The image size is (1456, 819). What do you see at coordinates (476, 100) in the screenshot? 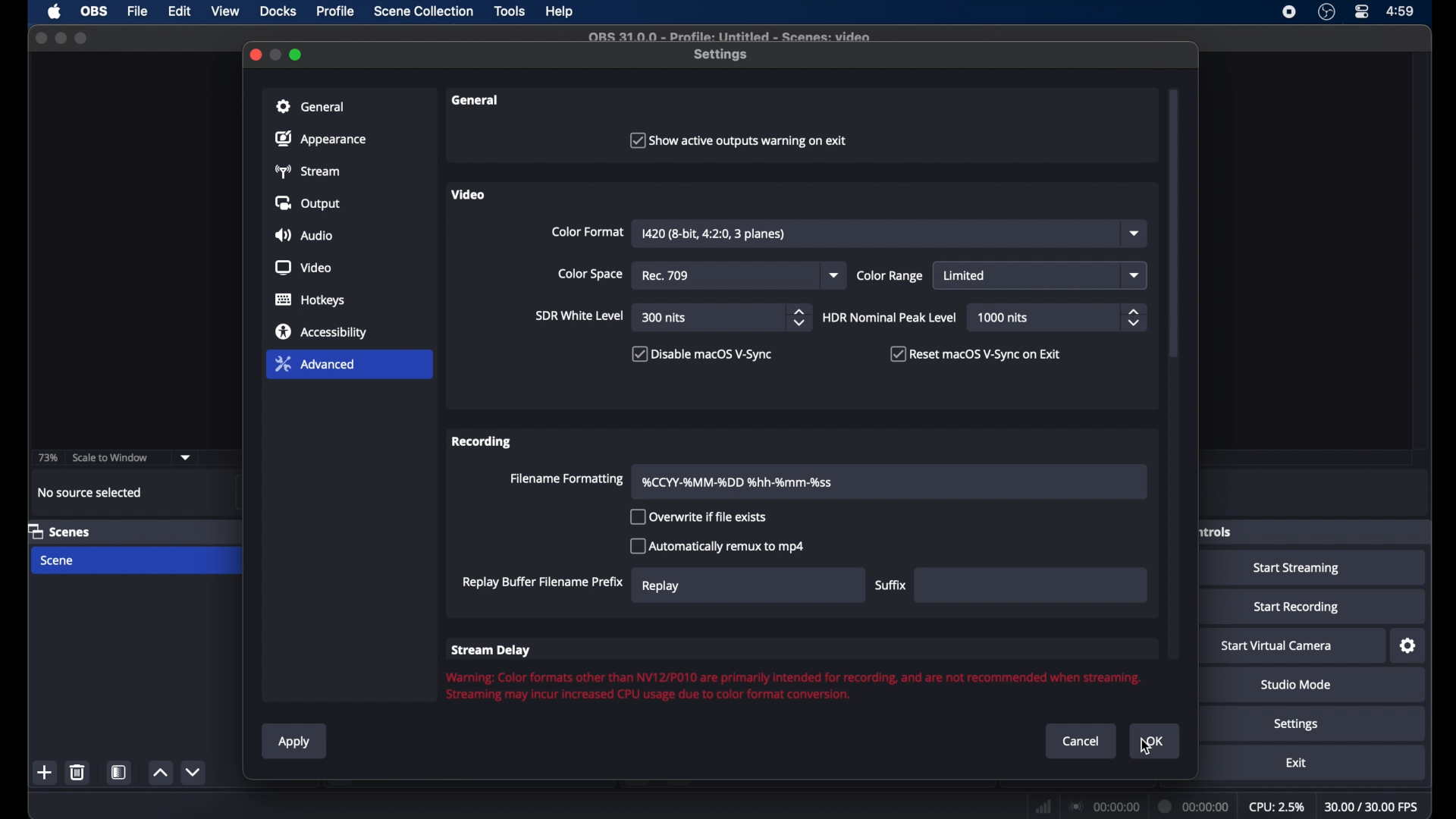
I see `general` at bounding box center [476, 100].